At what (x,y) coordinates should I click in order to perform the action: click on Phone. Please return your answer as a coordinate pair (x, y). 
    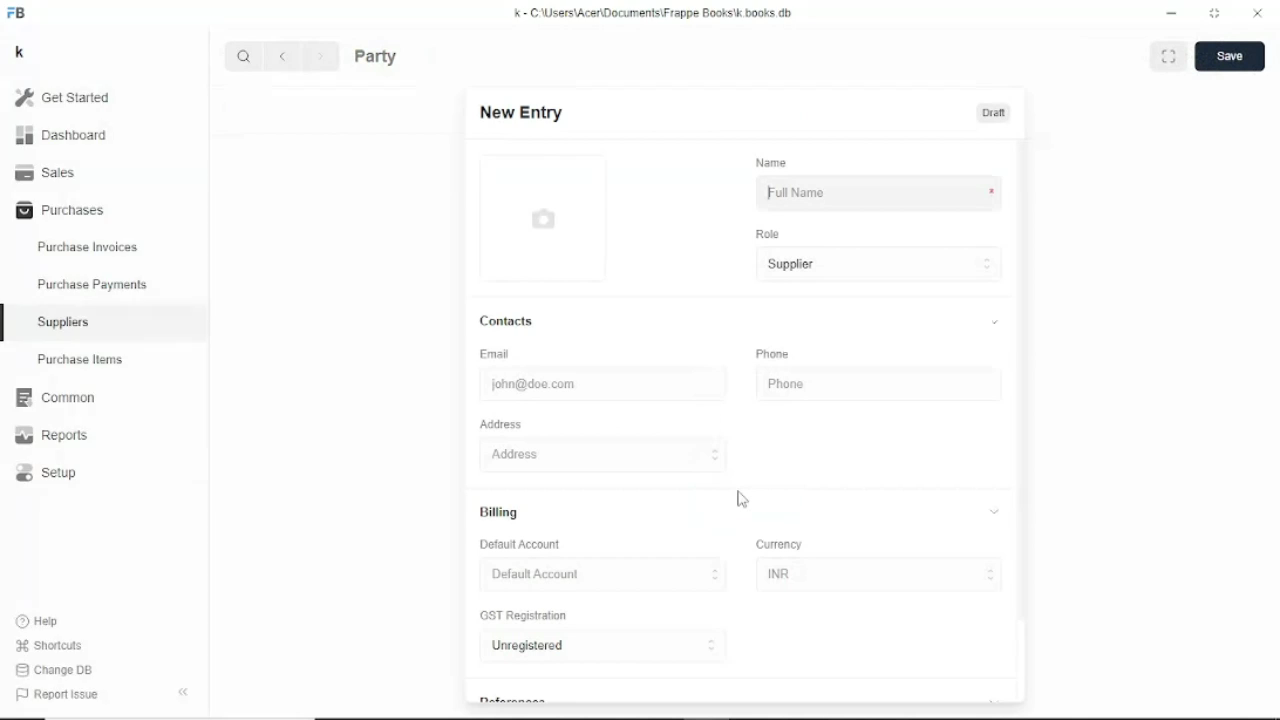
    Looking at the image, I should click on (864, 387).